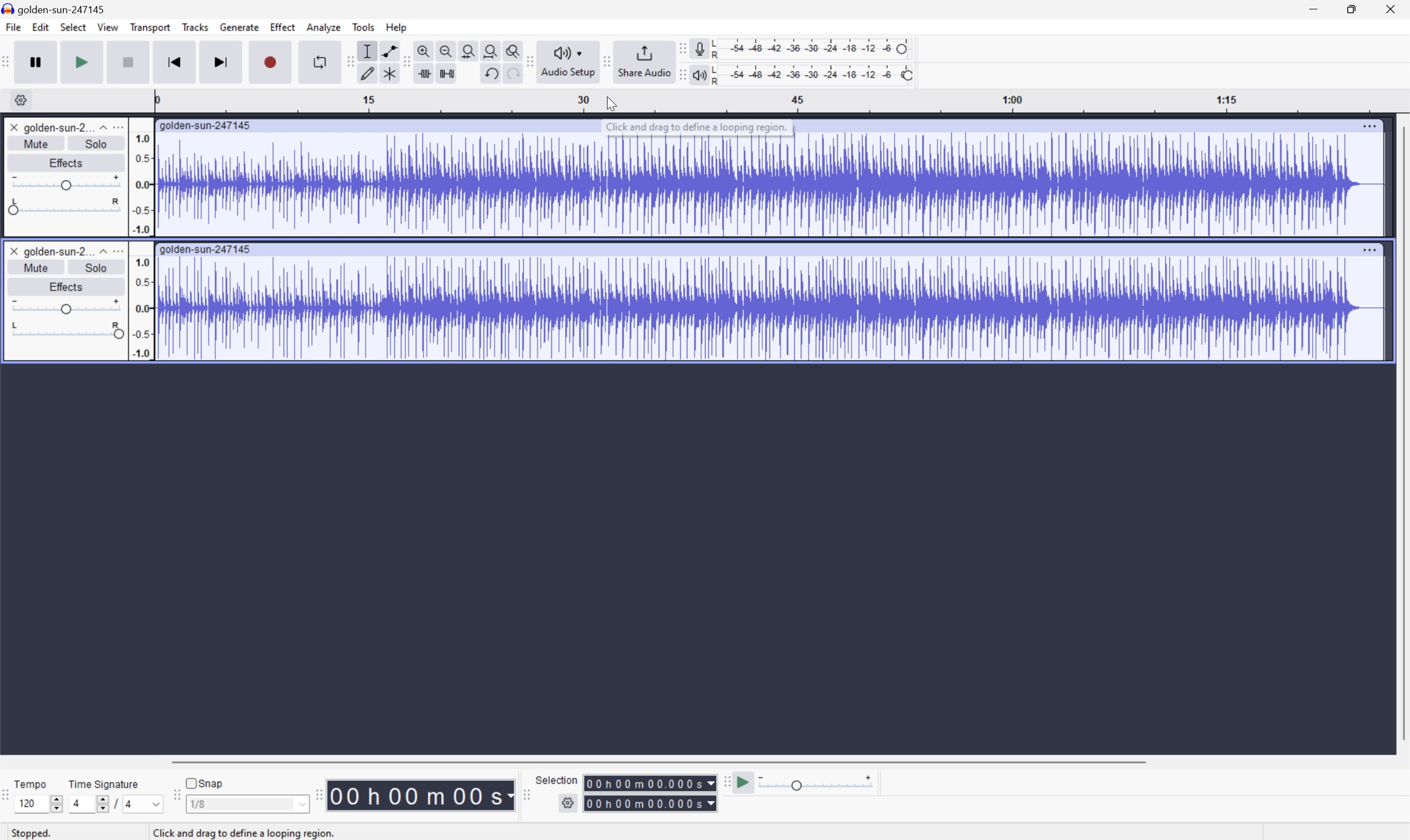 The width and height of the screenshot is (1410, 840). I want to click on Playback meter, so click(699, 74).